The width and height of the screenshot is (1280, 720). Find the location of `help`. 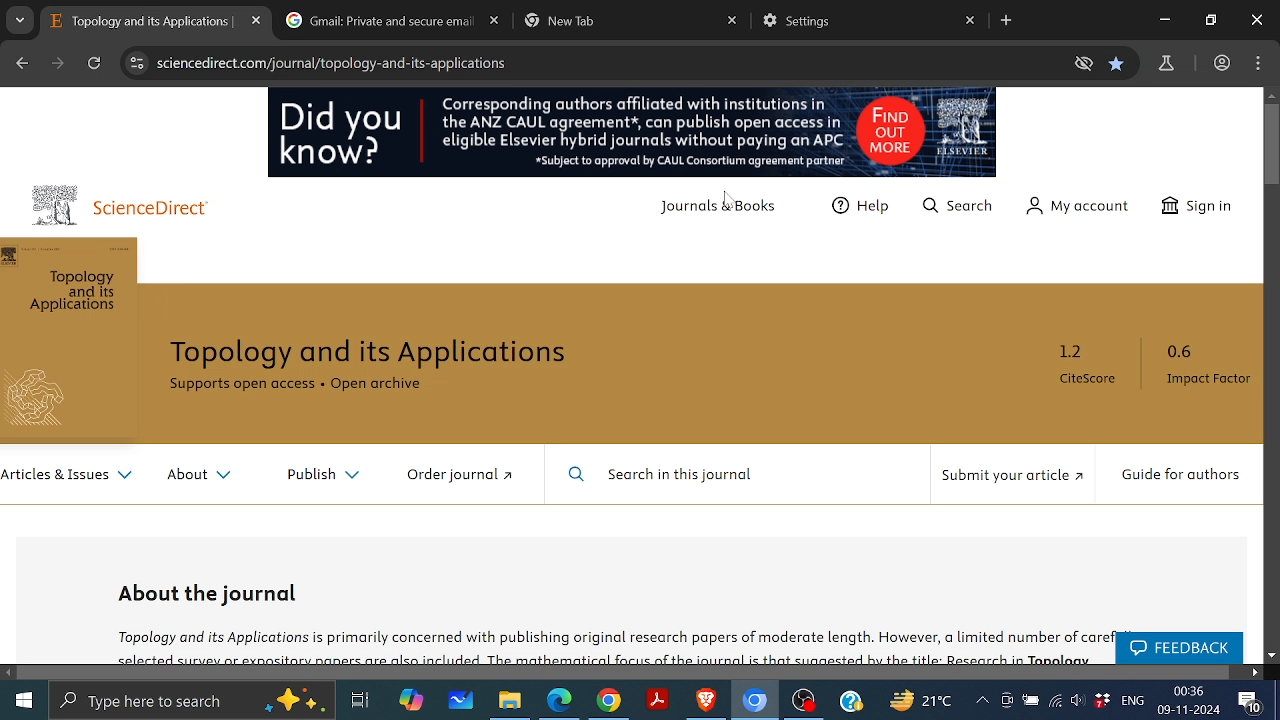

help is located at coordinates (864, 206).